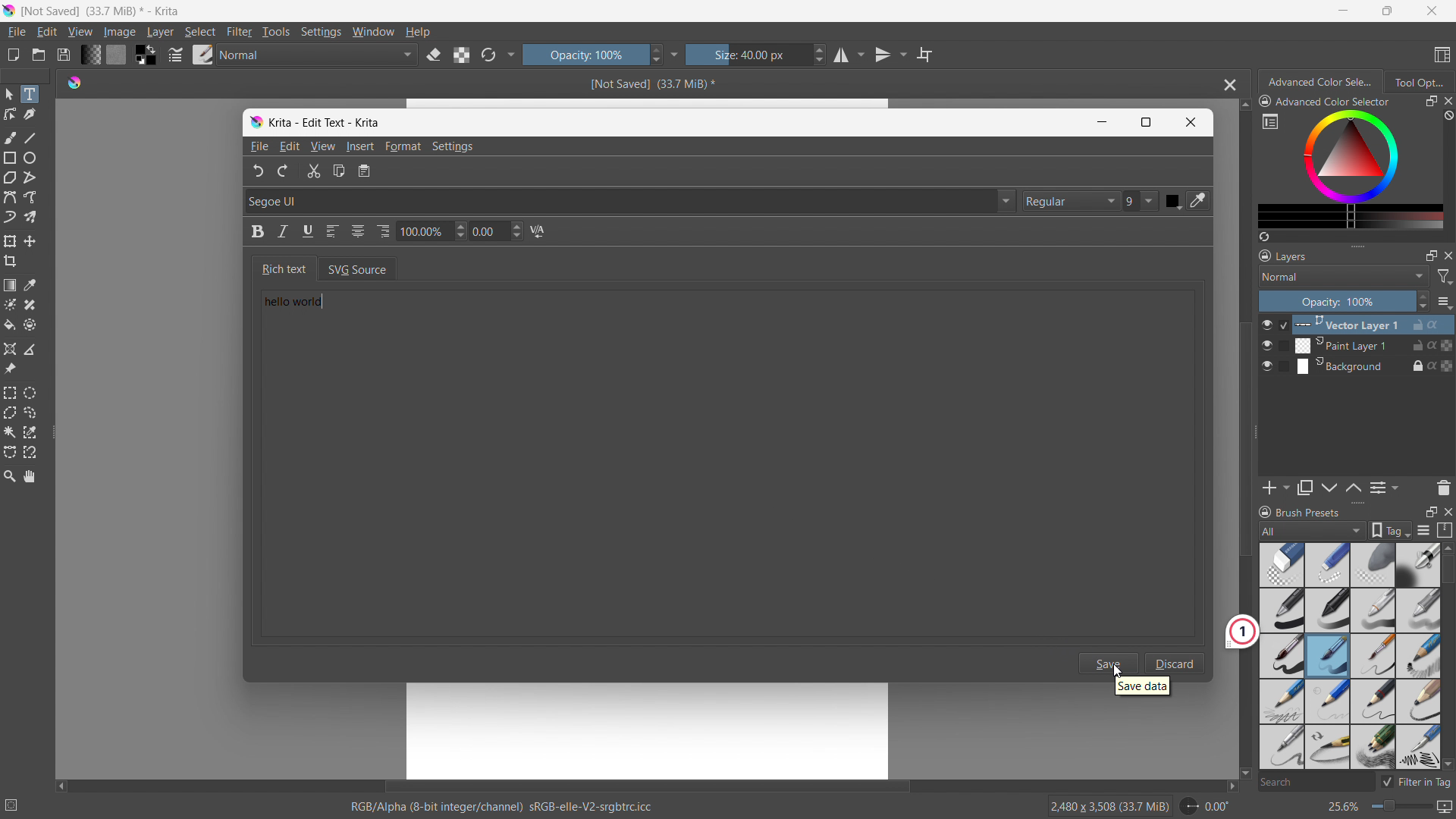 The height and width of the screenshot is (819, 1456). What do you see at coordinates (1430, 102) in the screenshot?
I see `maximize` at bounding box center [1430, 102].